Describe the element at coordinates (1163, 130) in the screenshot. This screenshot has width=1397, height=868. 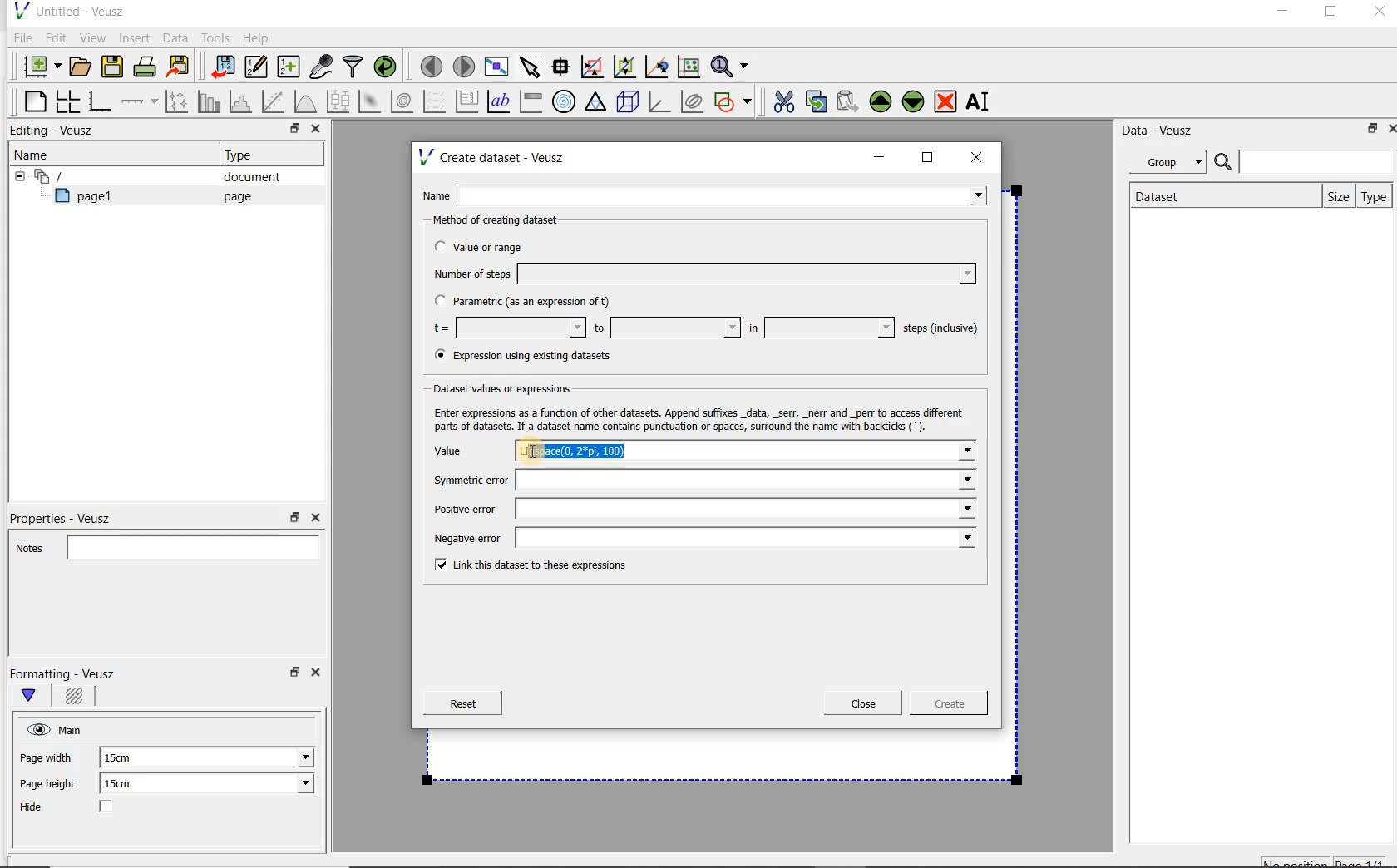
I see `Data - Veusz` at that location.